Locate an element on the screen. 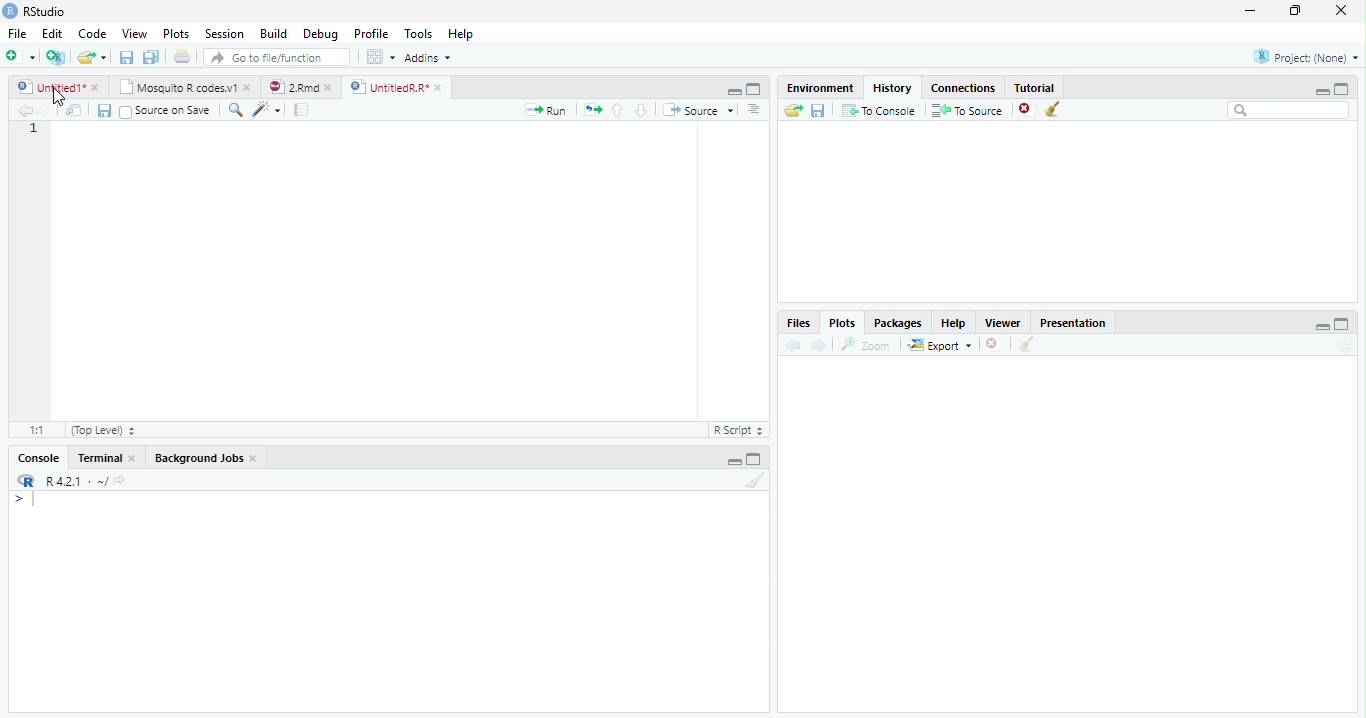 Image resolution: width=1366 pixels, height=718 pixels. 1 is located at coordinates (34, 131).